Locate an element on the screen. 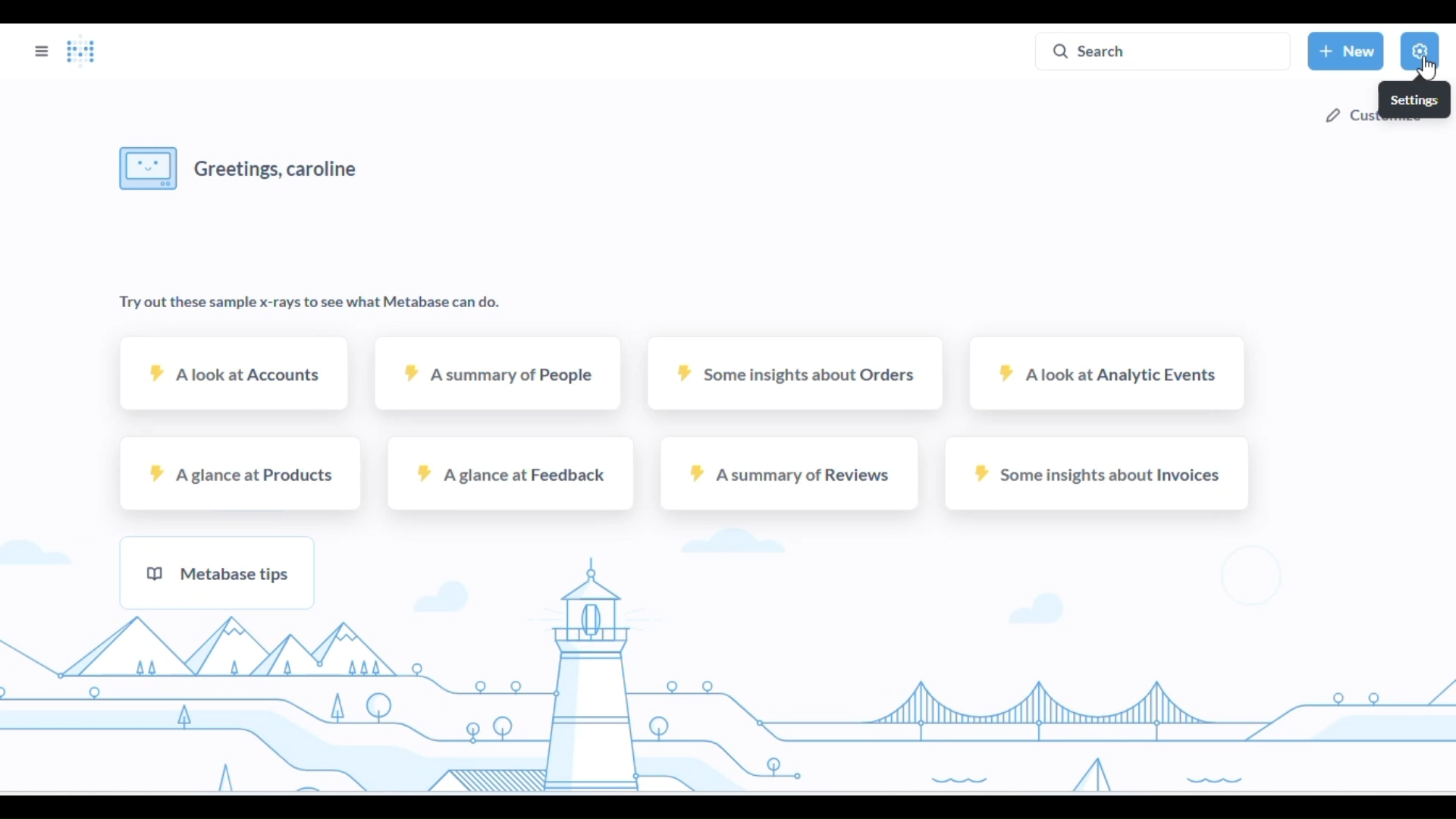 The width and height of the screenshot is (1456, 819). a look at analytic events is located at coordinates (1107, 374).